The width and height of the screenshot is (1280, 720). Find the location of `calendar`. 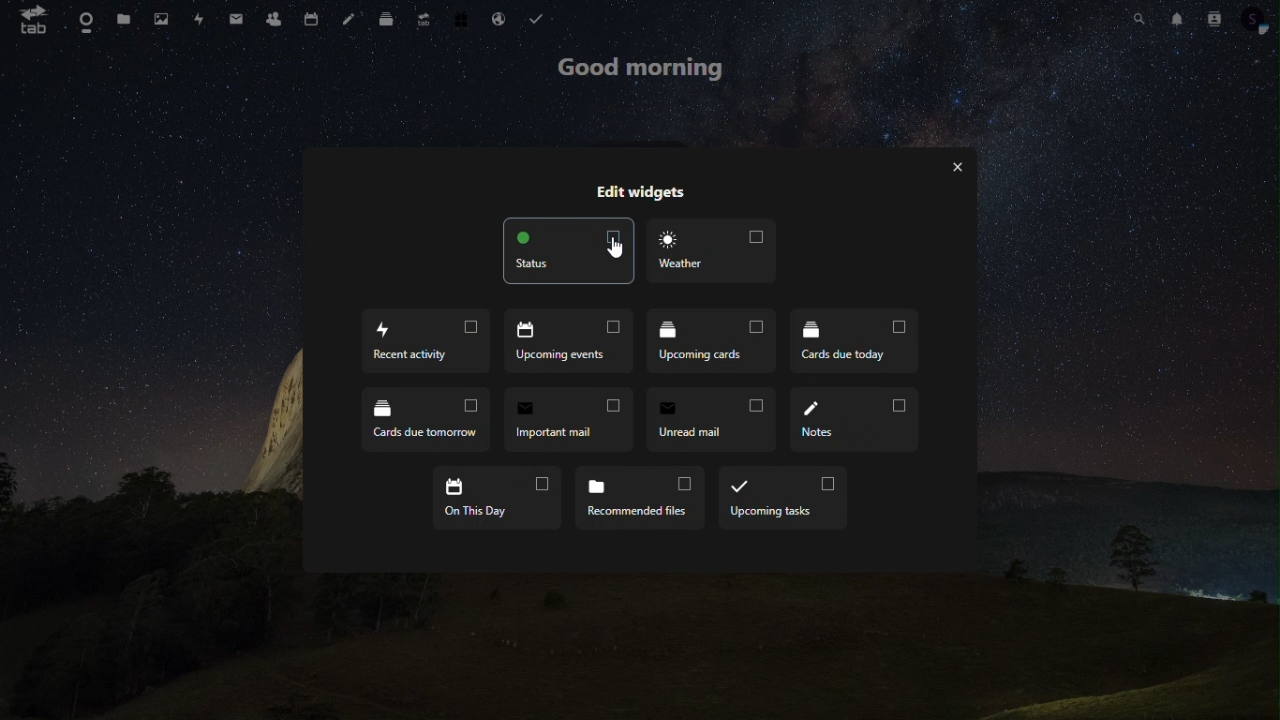

calendar is located at coordinates (309, 19).